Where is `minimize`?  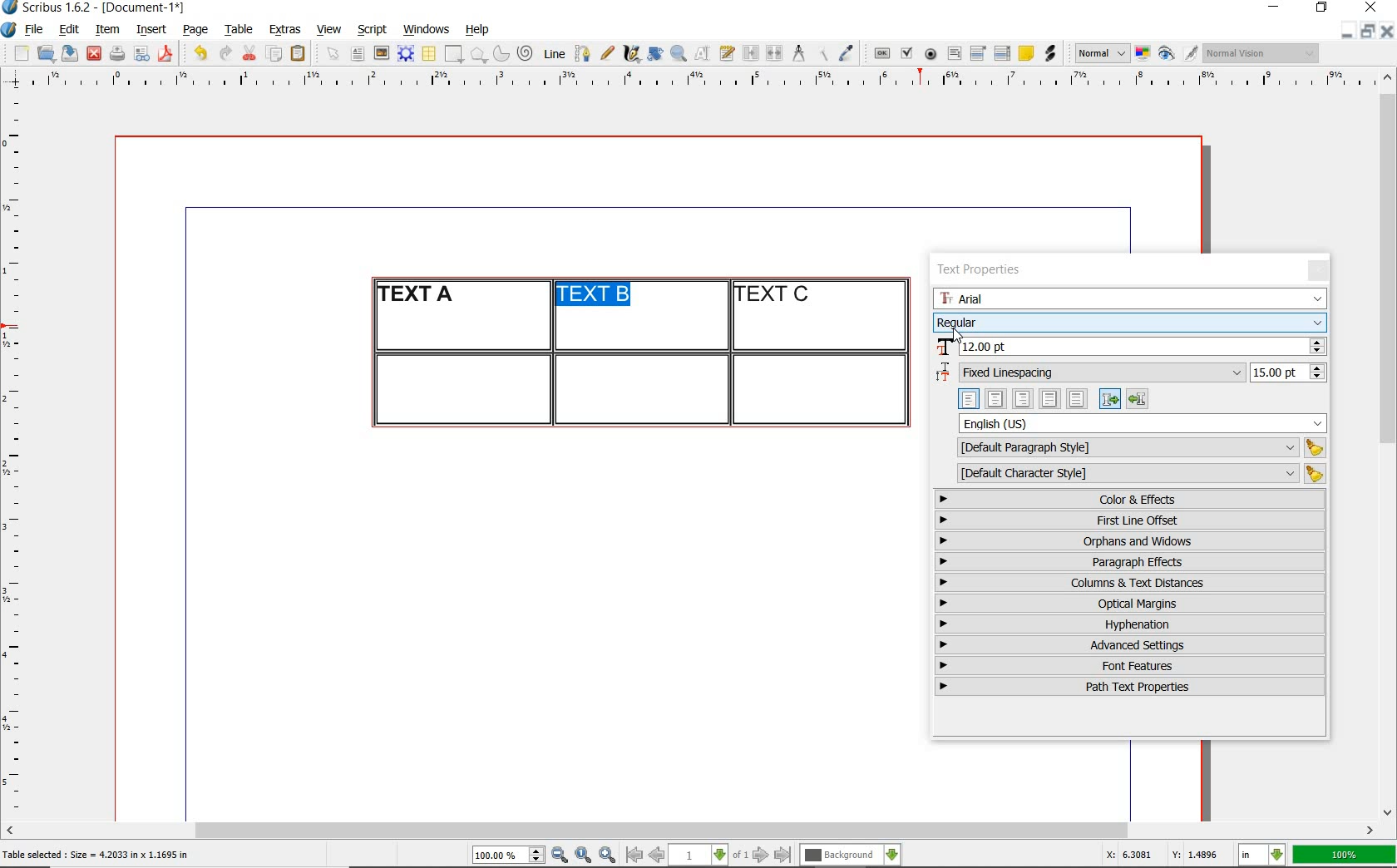 minimize is located at coordinates (1348, 30).